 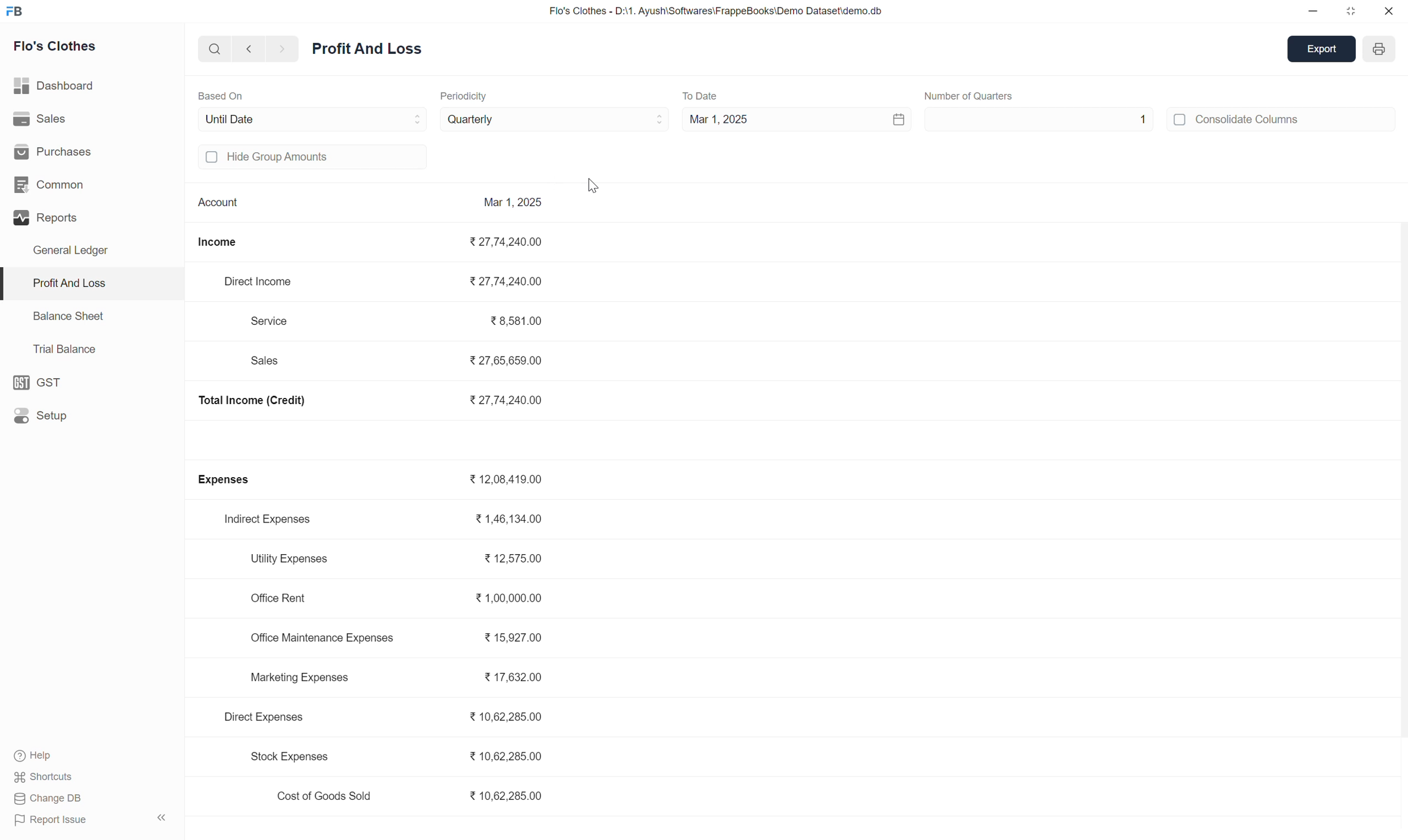 I want to click on Periodicity, so click(x=467, y=97).